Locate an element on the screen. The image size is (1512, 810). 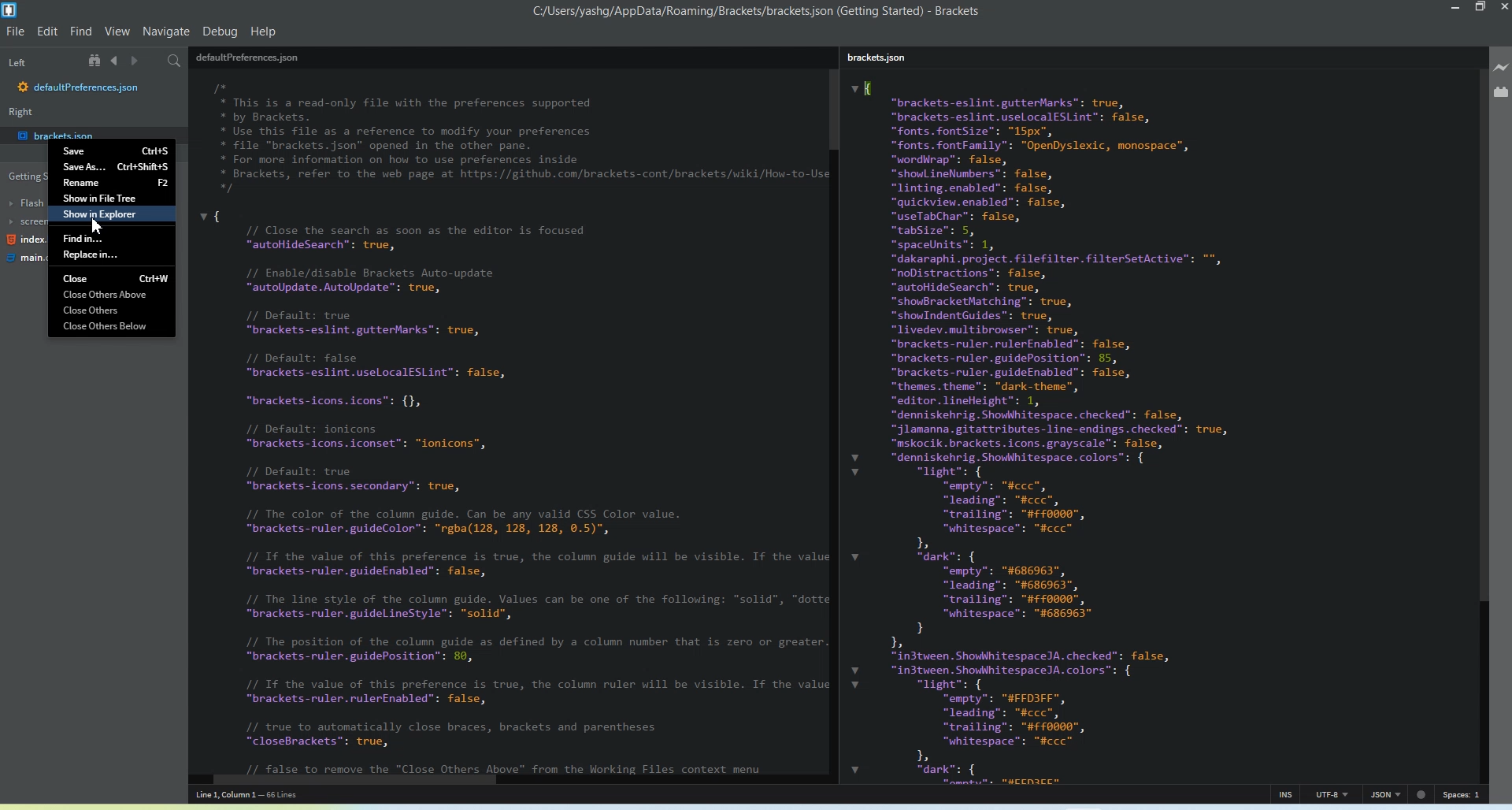
Vertical Scroll bar is located at coordinates (836, 415).